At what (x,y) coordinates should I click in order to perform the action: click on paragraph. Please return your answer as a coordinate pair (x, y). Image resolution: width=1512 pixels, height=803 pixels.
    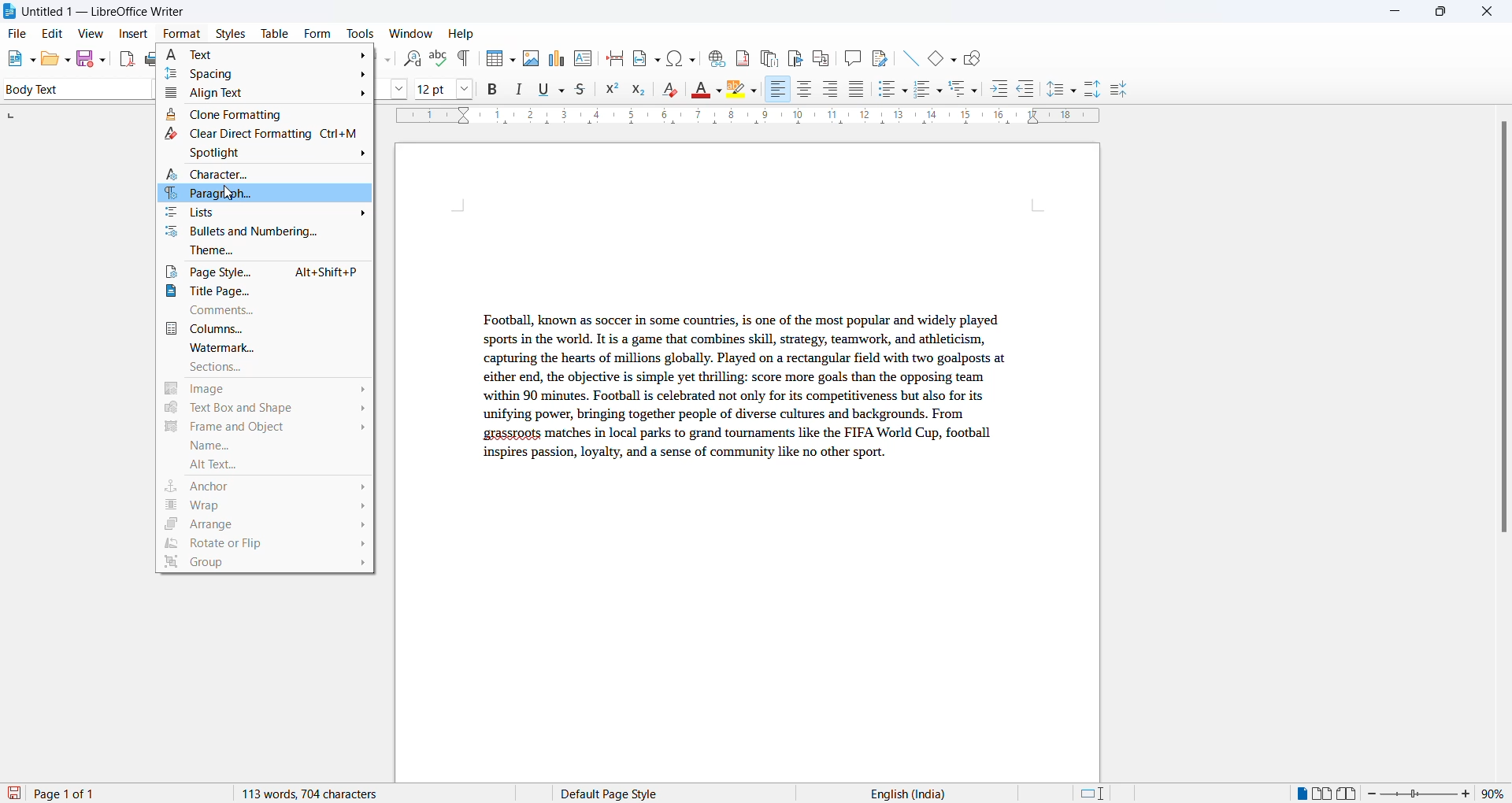
    Looking at the image, I should click on (268, 196).